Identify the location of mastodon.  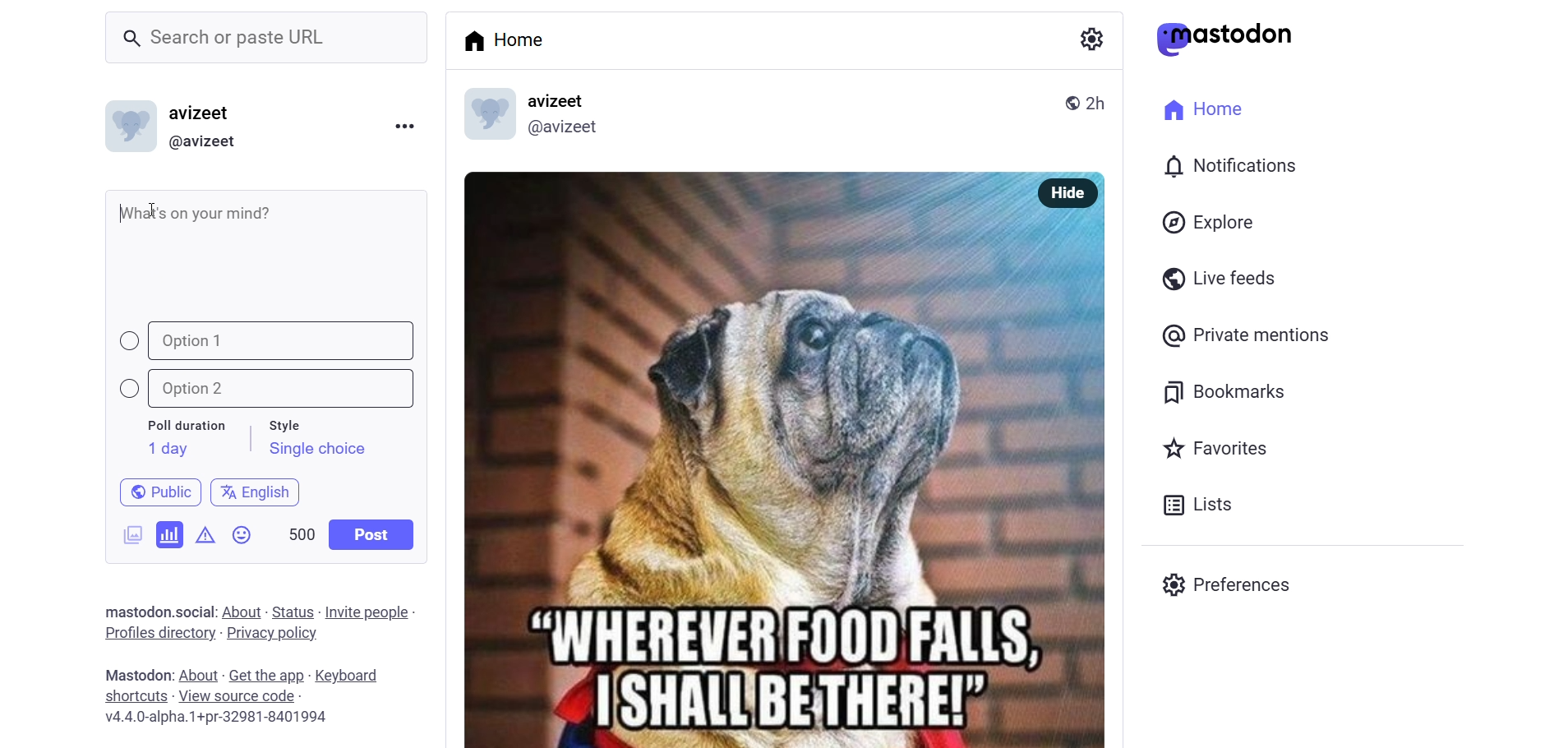
(133, 609).